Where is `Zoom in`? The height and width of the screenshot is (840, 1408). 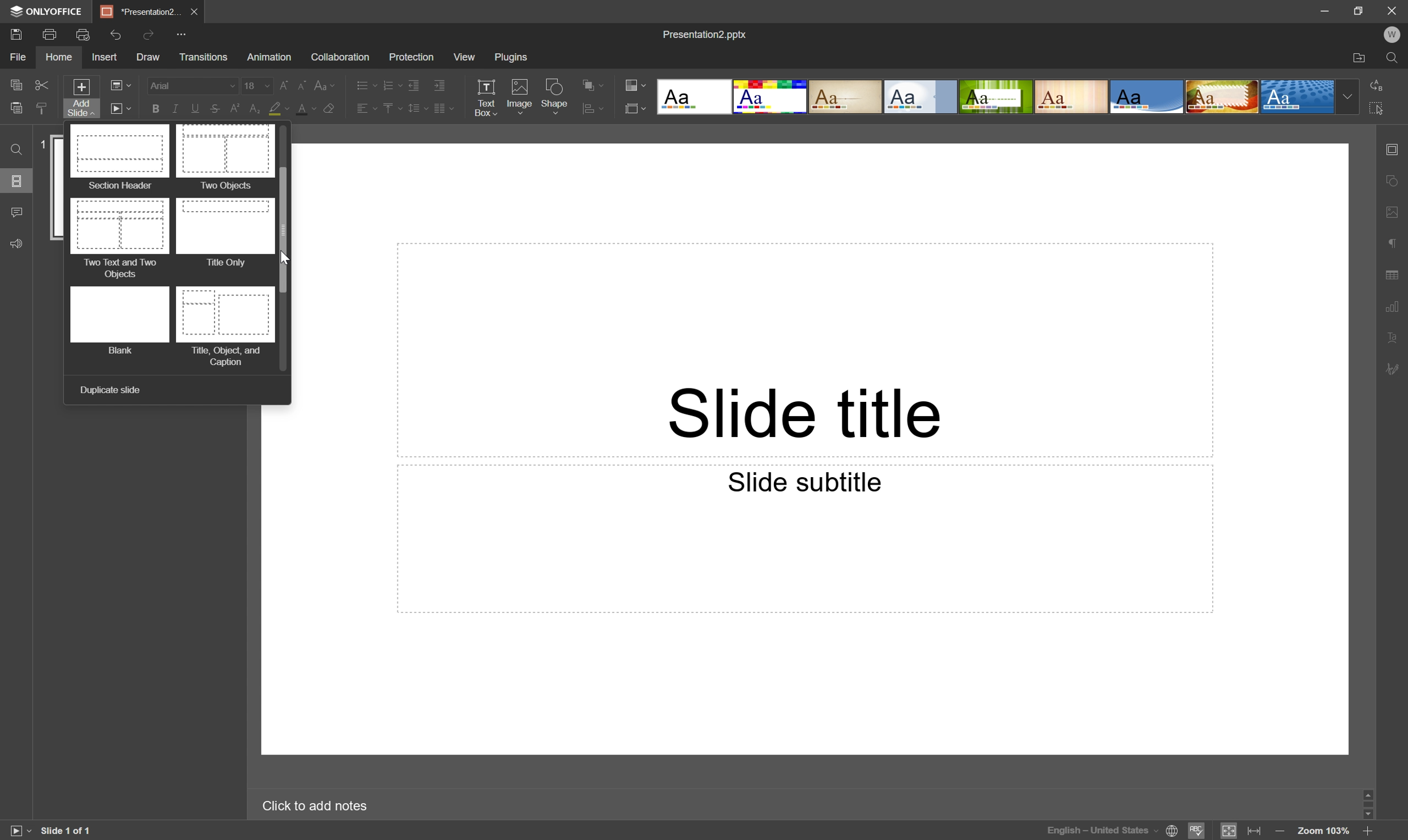
Zoom in is located at coordinates (1368, 830).